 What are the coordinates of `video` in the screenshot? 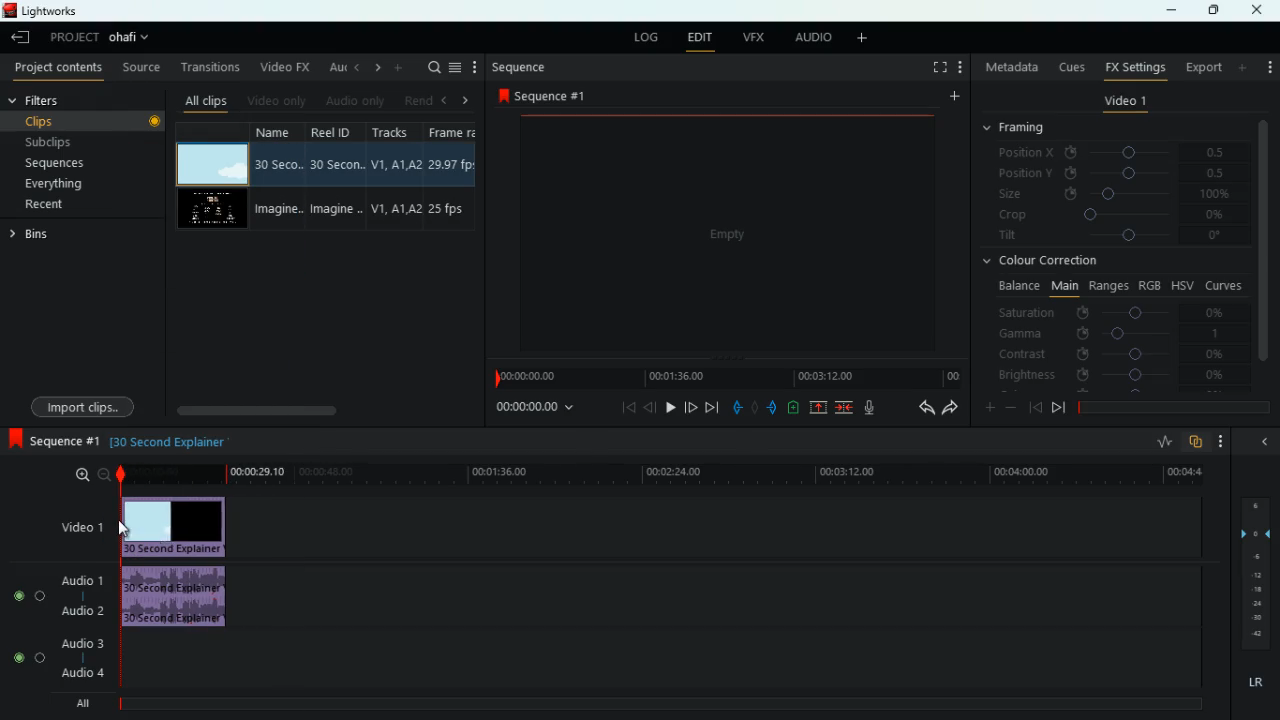 It's located at (721, 233).